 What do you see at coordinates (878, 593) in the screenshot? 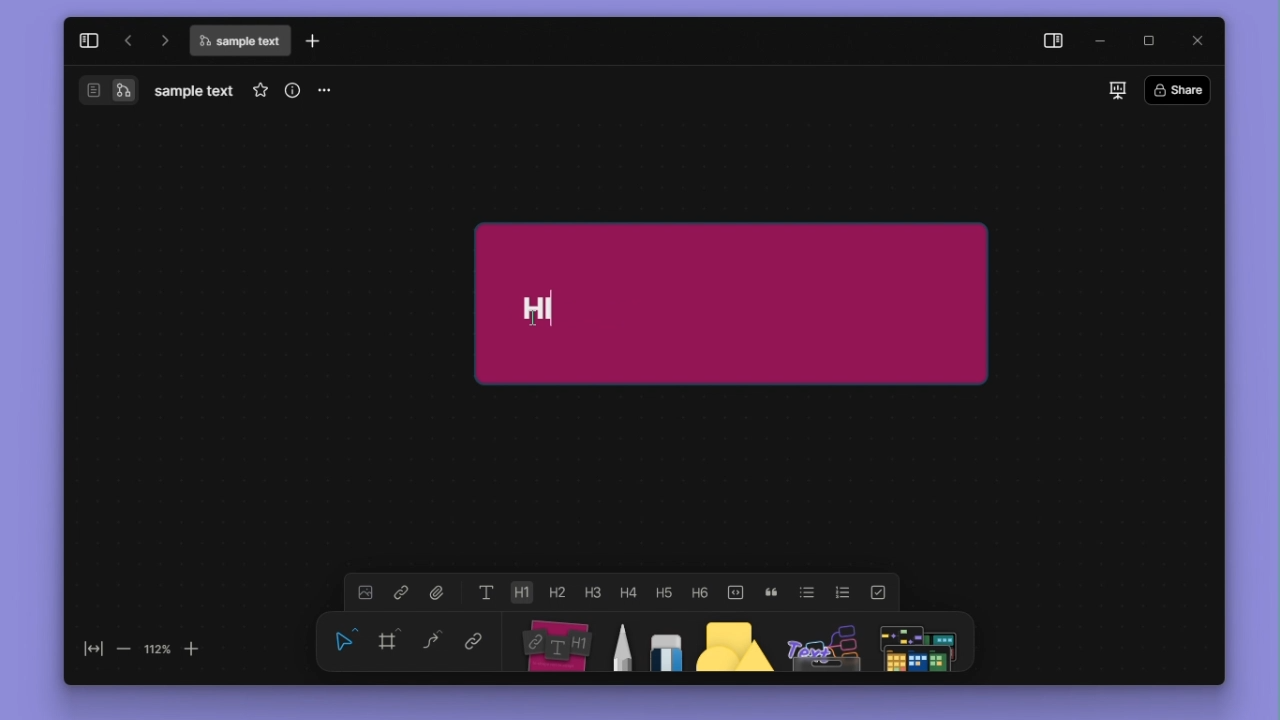
I see `to do list` at bounding box center [878, 593].